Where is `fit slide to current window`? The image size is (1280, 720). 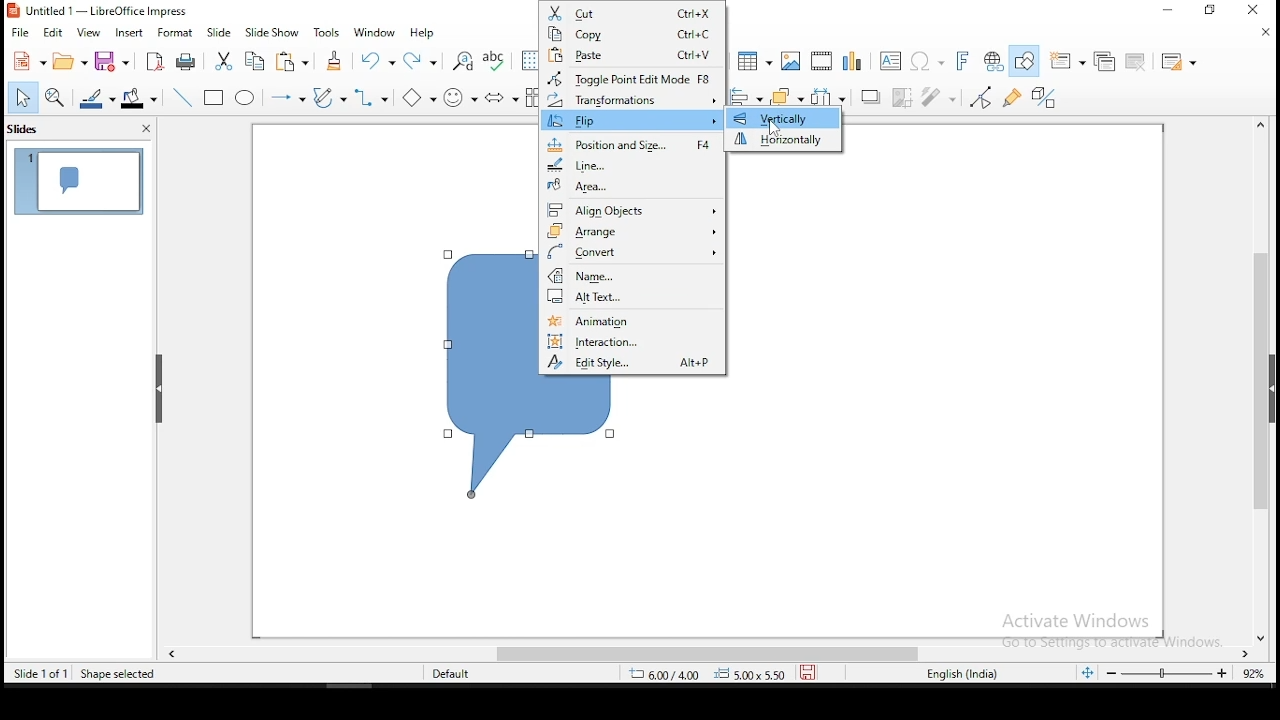 fit slide to current window is located at coordinates (1087, 673).